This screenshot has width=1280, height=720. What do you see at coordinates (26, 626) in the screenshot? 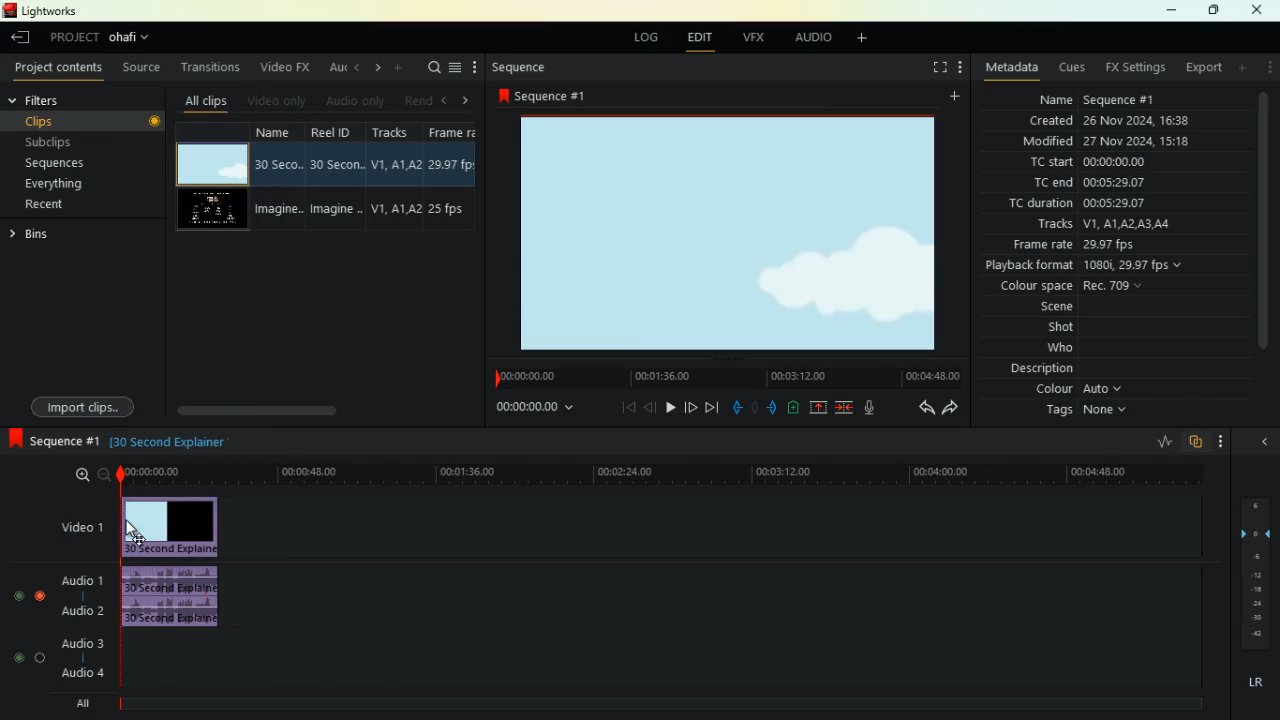
I see `toggle button` at bounding box center [26, 626].